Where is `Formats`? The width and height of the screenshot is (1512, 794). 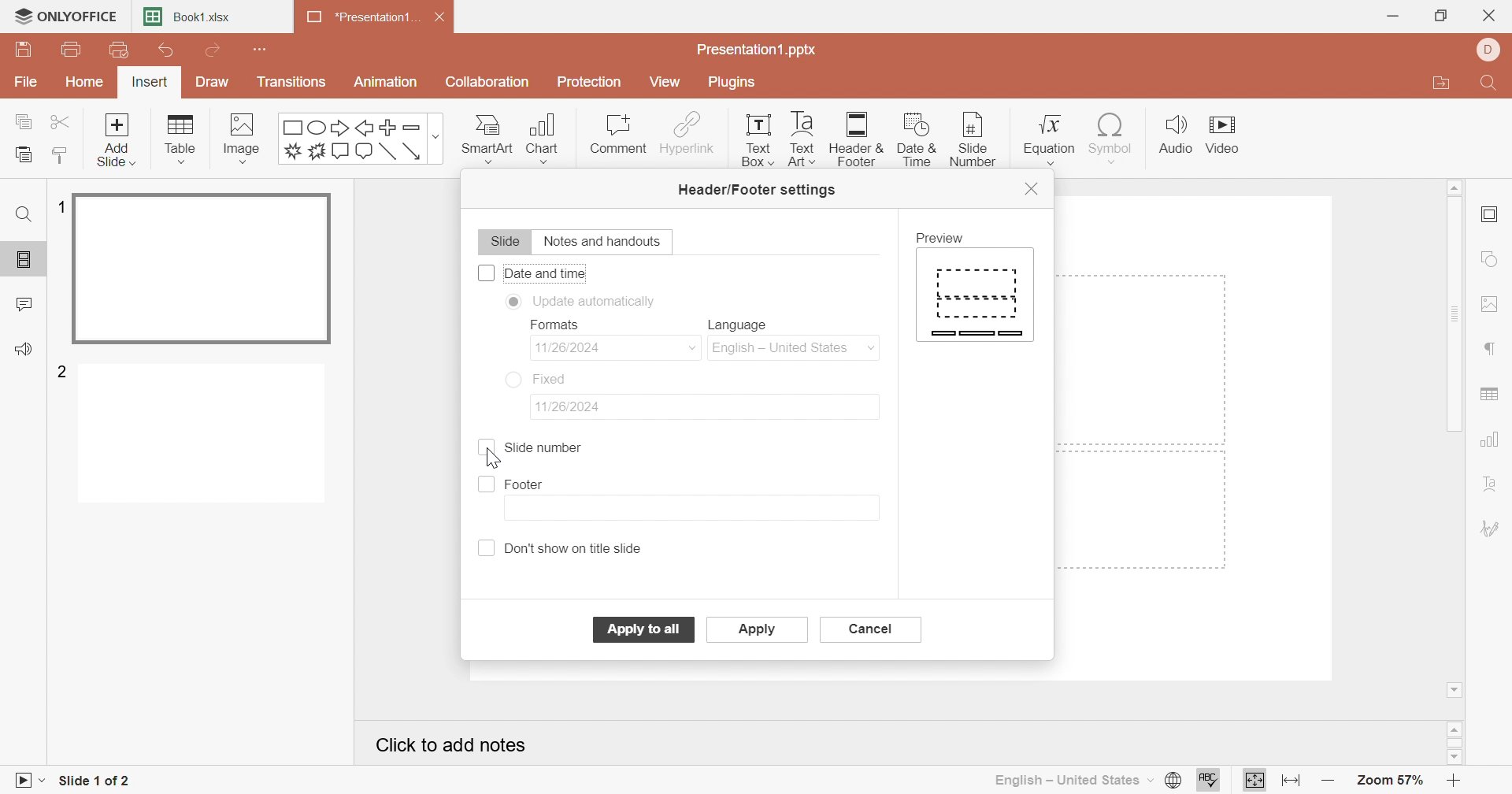 Formats is located at coordinates (553, 325).